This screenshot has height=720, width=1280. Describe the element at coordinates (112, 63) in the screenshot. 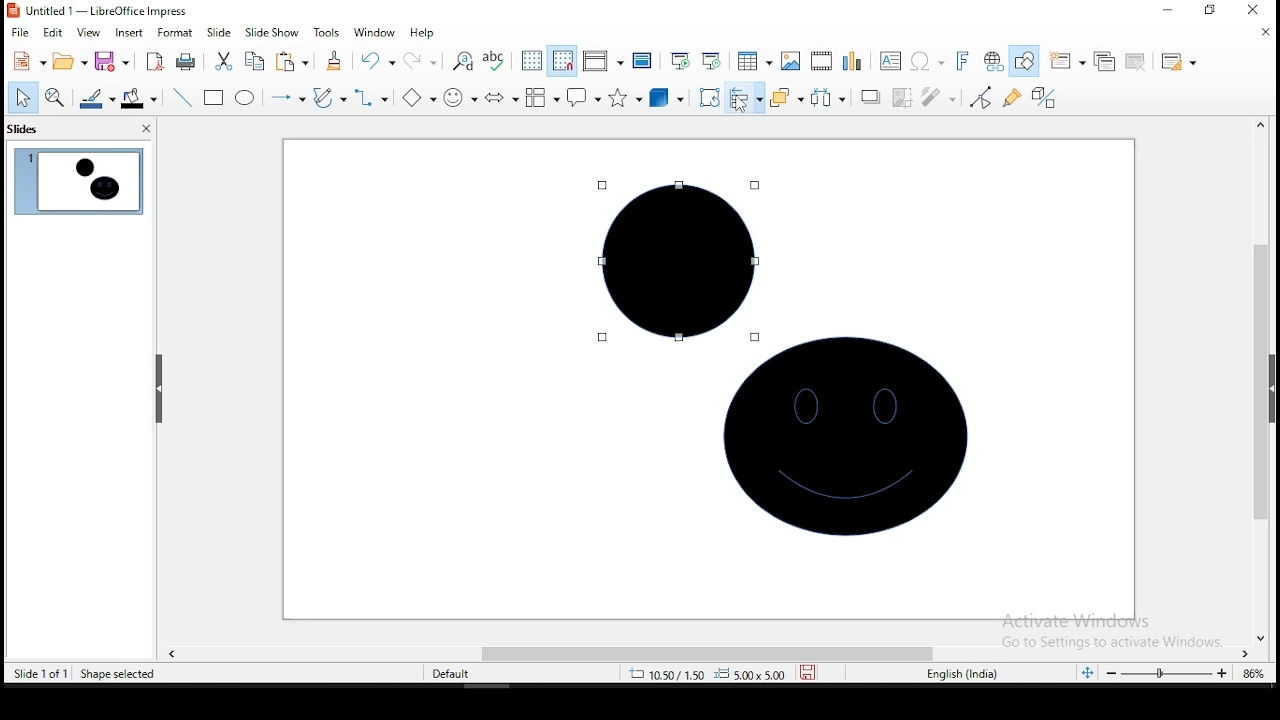

I see `save` at that location.